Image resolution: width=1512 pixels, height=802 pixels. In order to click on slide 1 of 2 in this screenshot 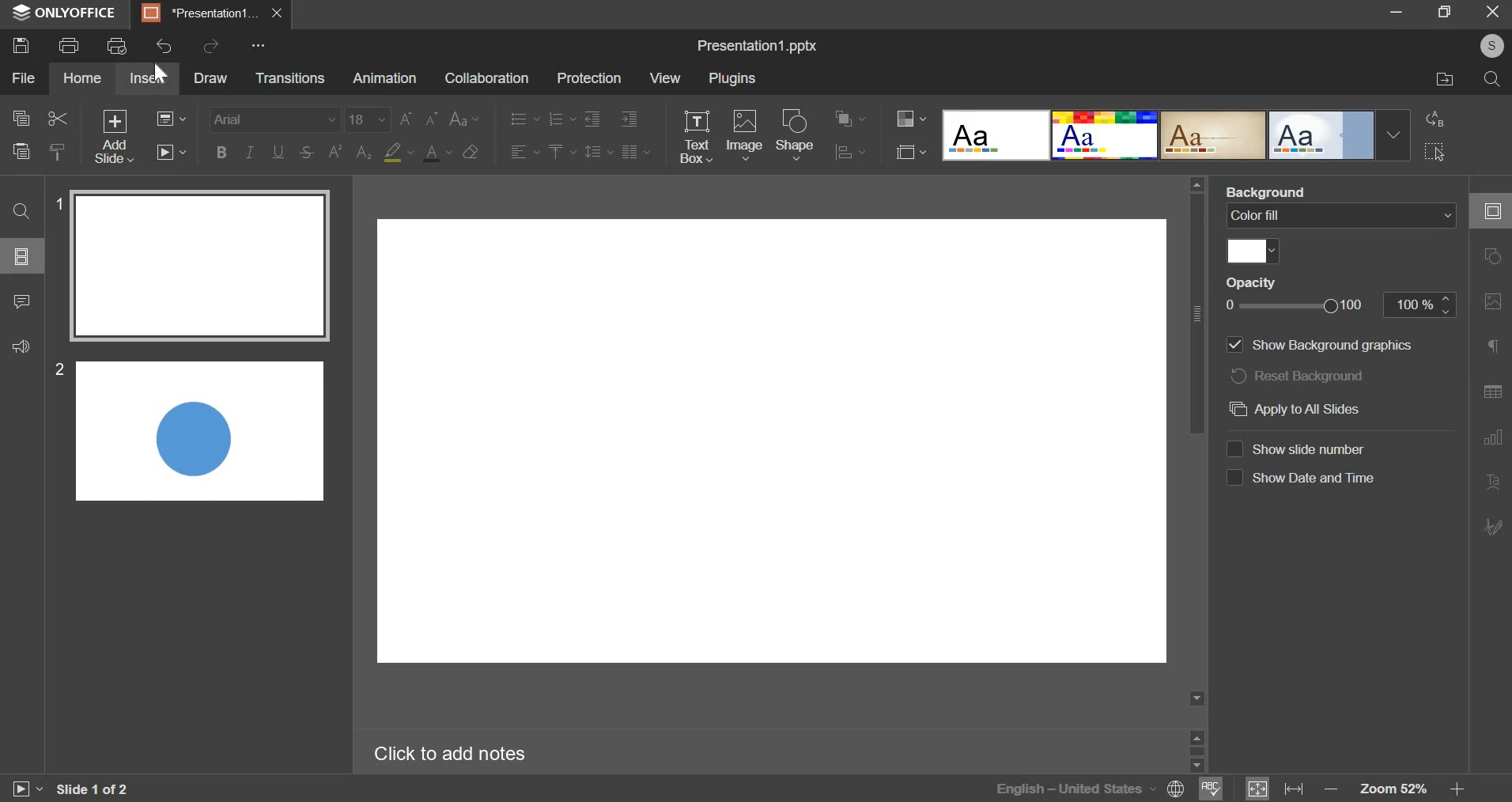, I will do `click(95, 789)`.